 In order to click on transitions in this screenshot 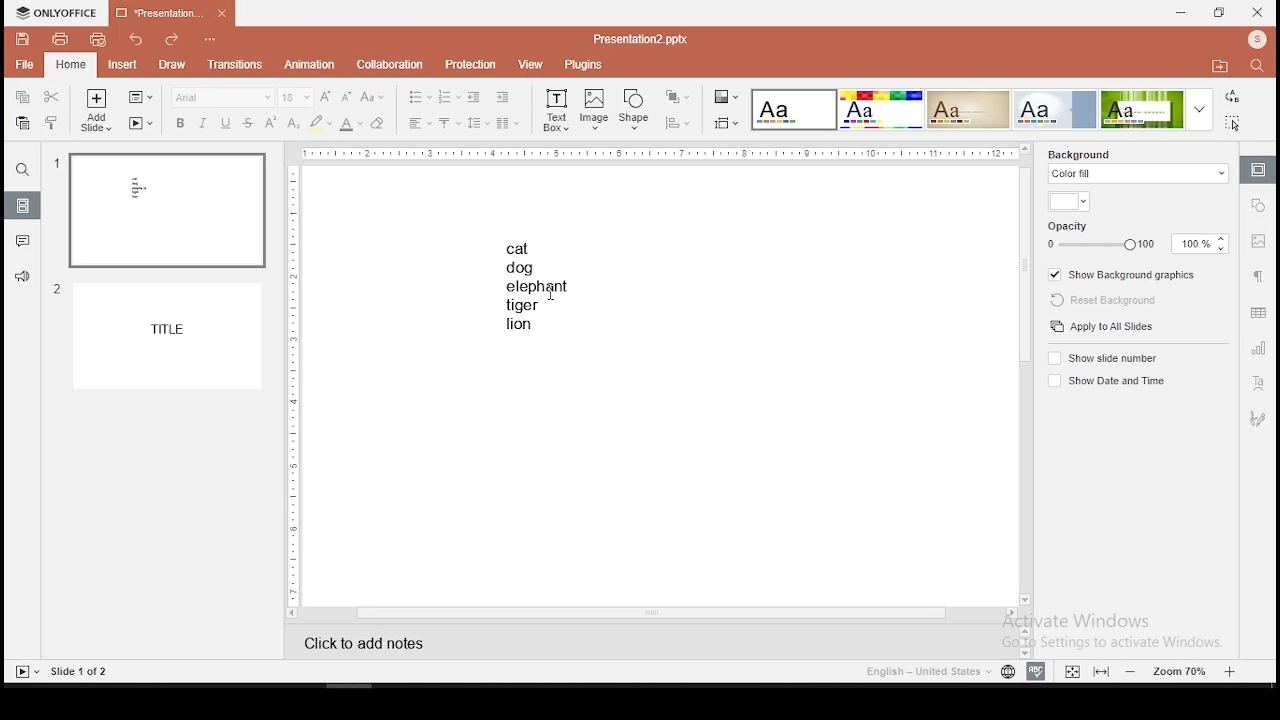, I will do `click(236, 67)`.